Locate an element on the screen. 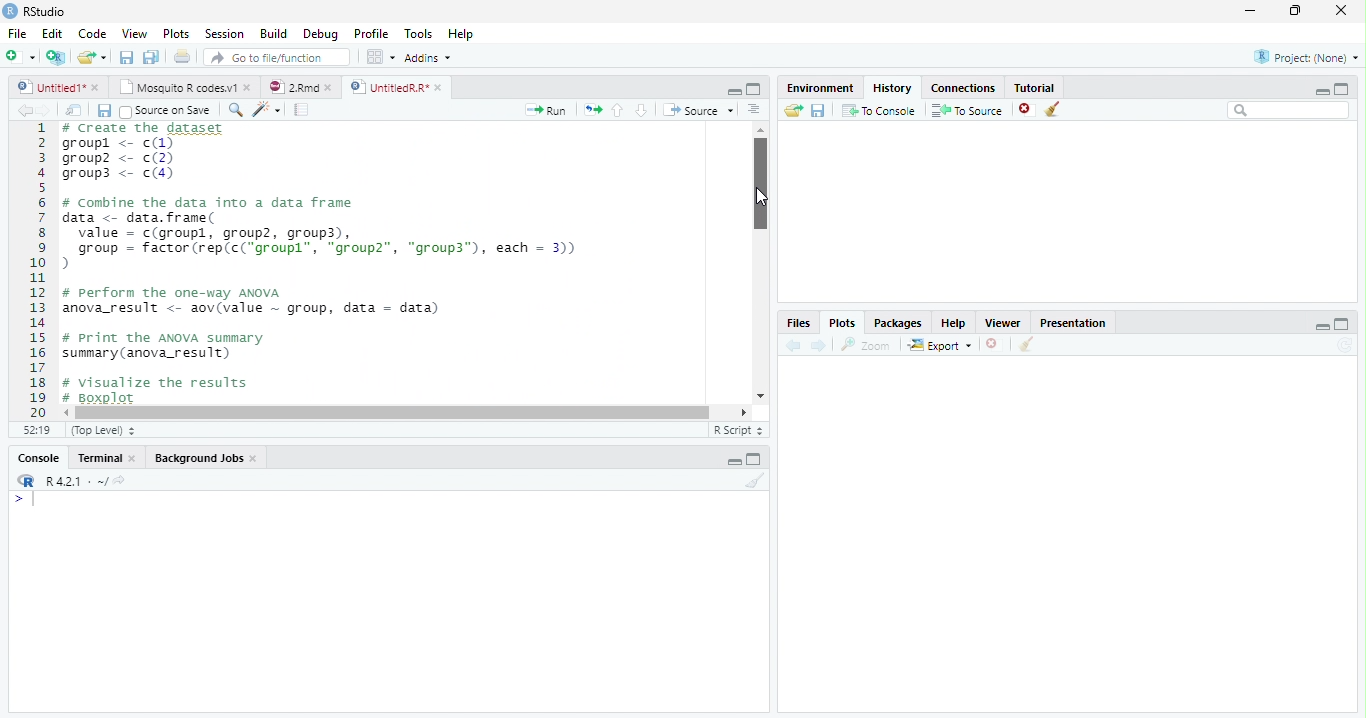  File is located at coordinates (15, 31).